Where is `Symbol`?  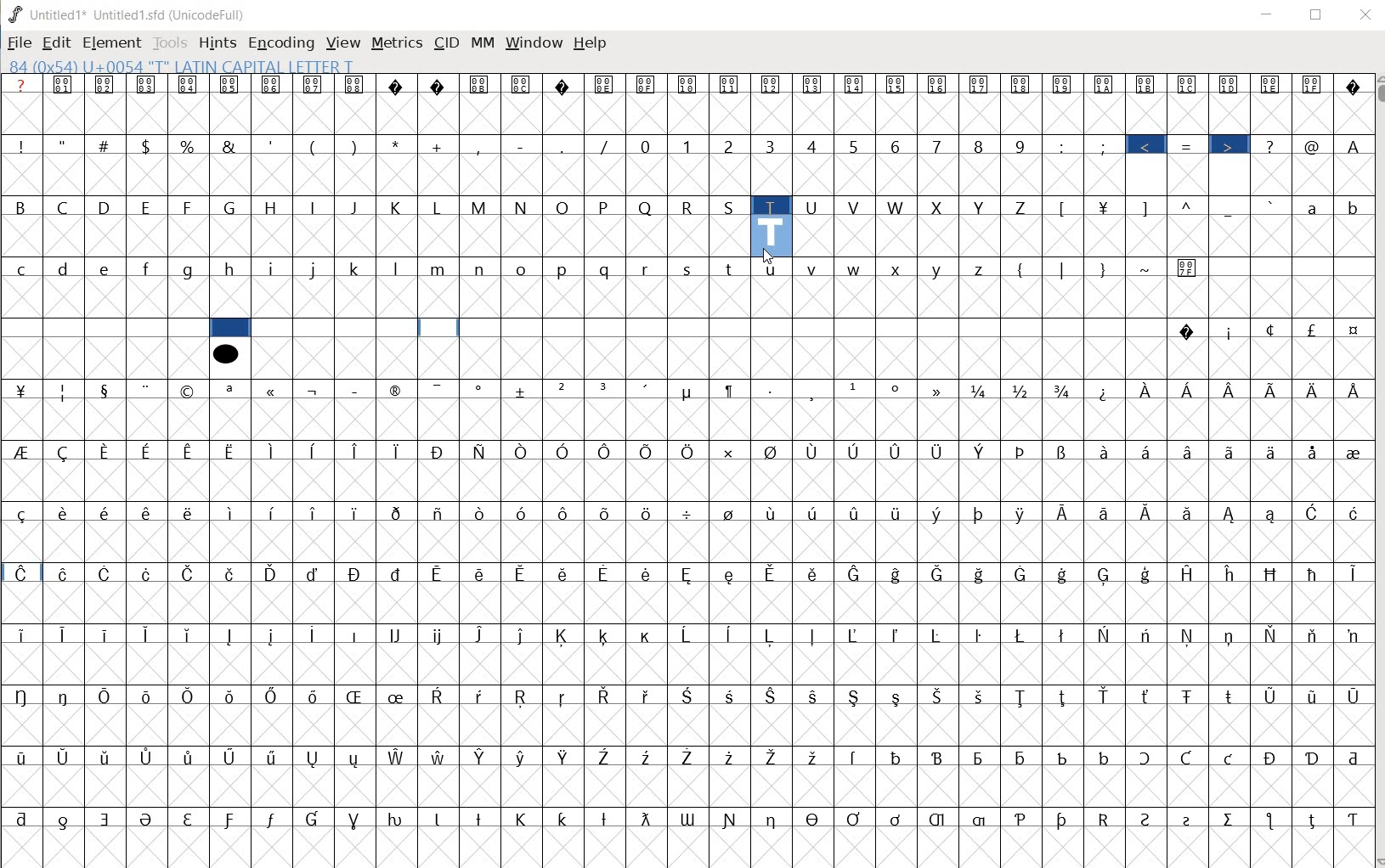 Symbol is located at coordinates (314, 819).